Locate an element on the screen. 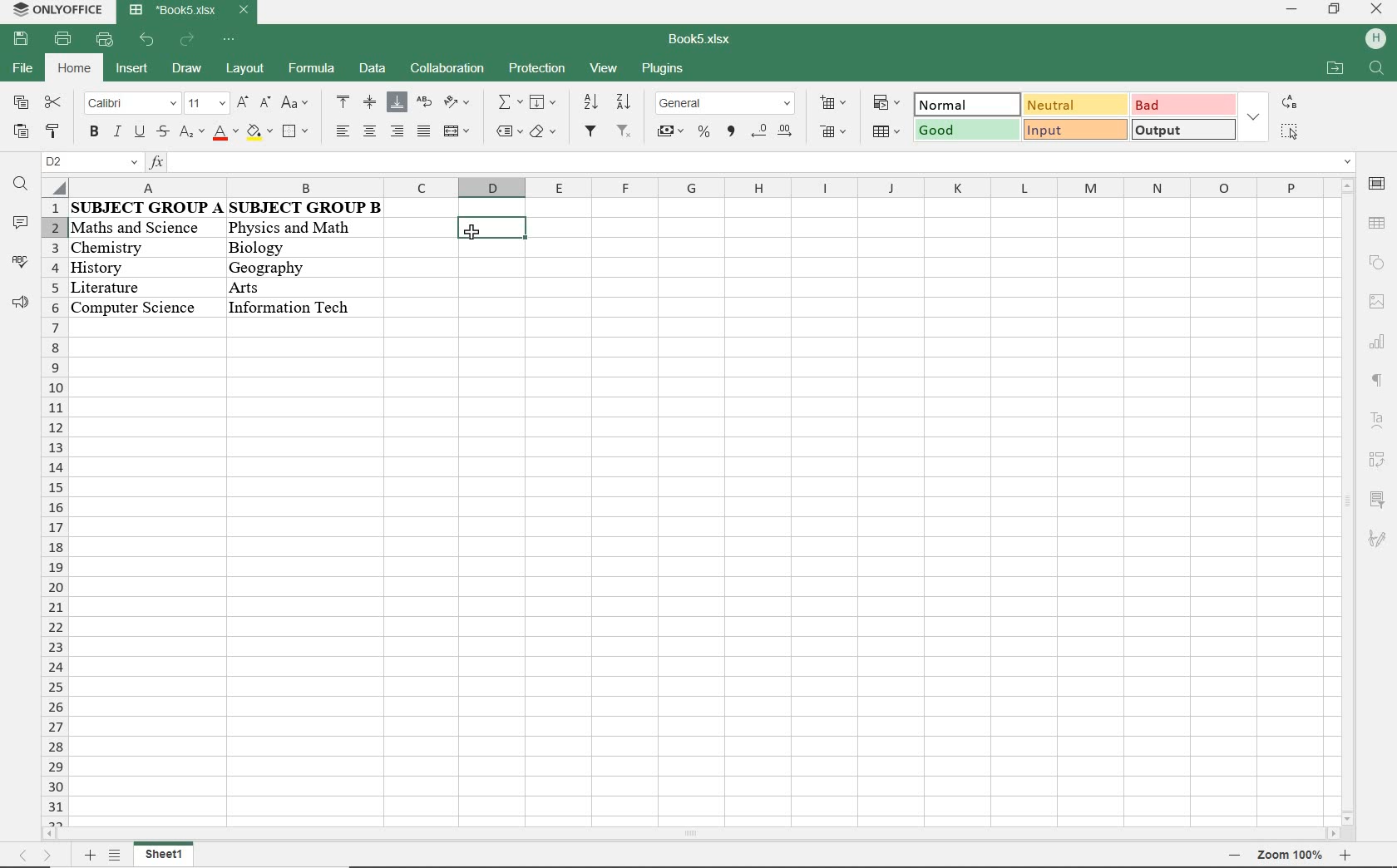 This screenshot has height=868, width=1397. find is located at coordinates (1377, 67).